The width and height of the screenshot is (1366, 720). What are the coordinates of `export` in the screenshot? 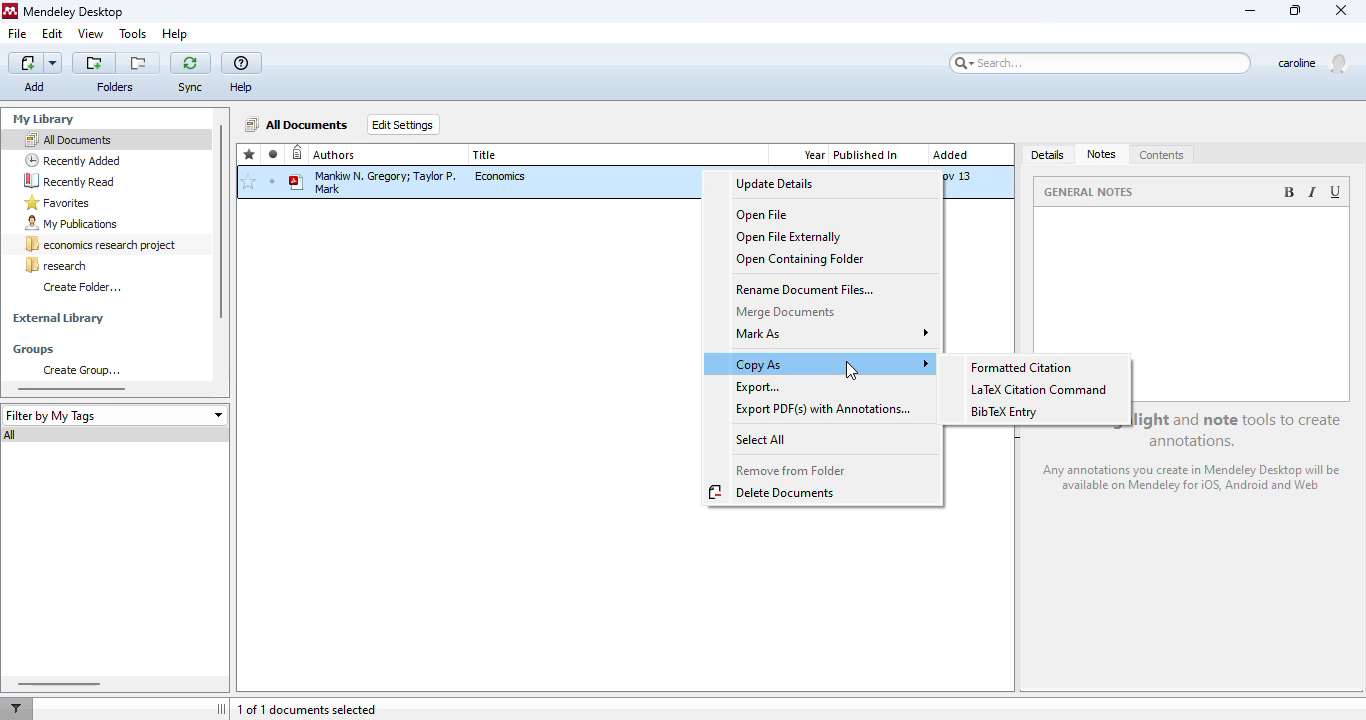 It's located at (759, 388).